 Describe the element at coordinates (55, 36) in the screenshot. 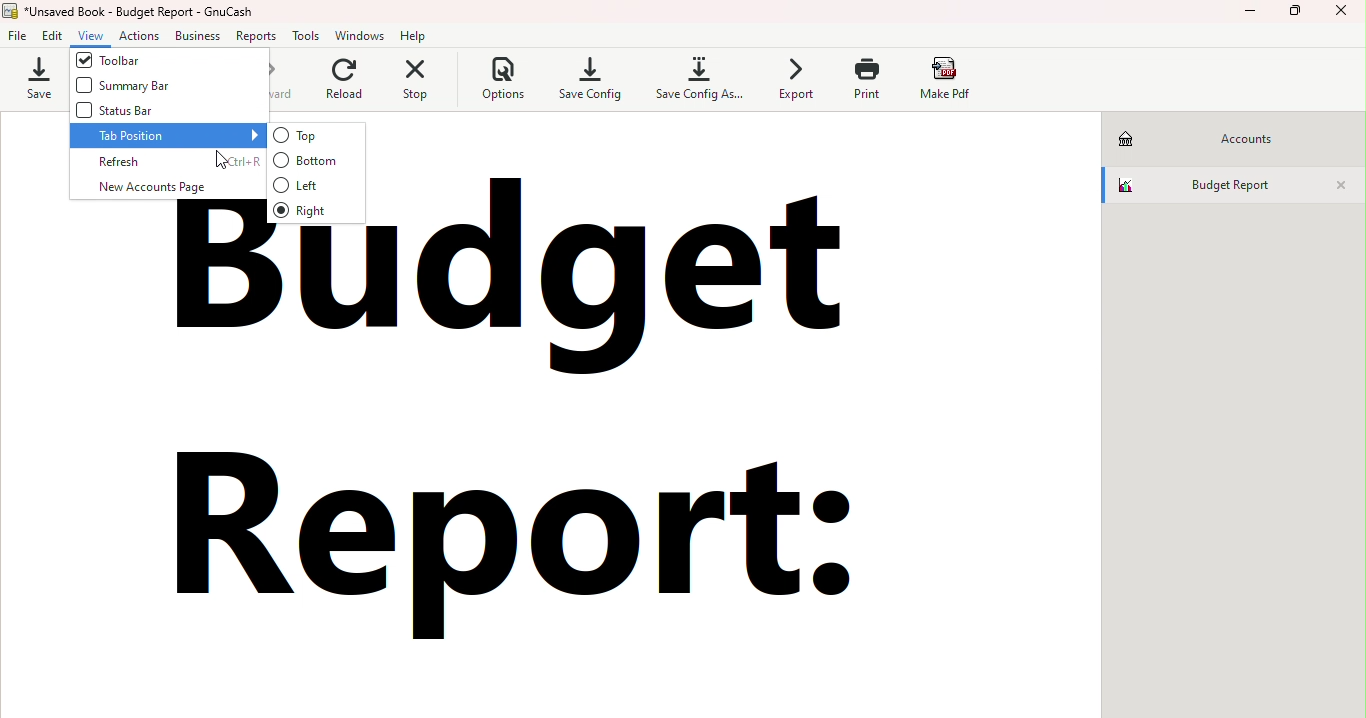

I see `Edit` at that location.